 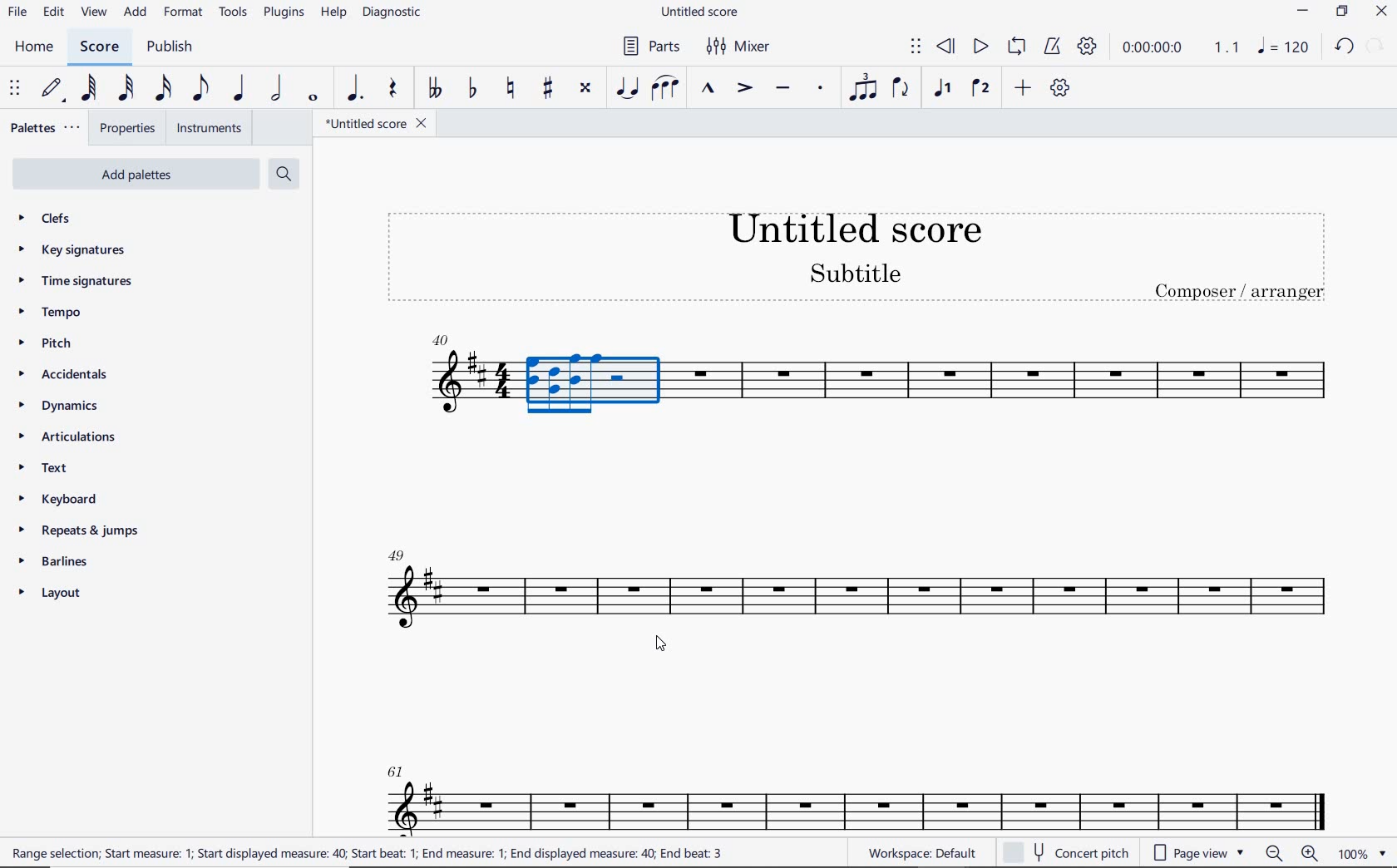 I want to click on BARLINES, so click(x=59, y=565).